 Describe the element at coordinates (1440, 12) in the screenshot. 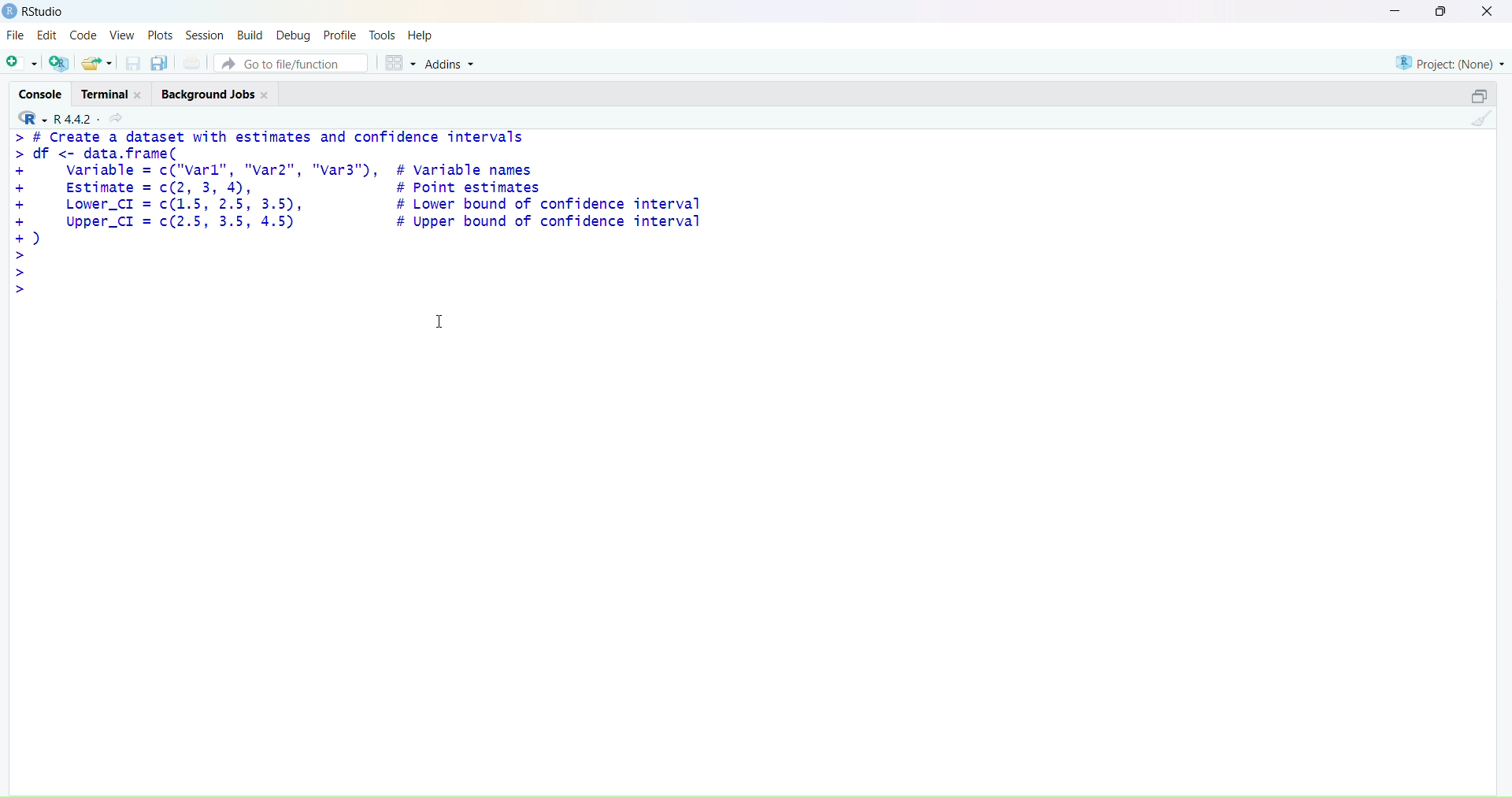

I see `maximiz` at that location.